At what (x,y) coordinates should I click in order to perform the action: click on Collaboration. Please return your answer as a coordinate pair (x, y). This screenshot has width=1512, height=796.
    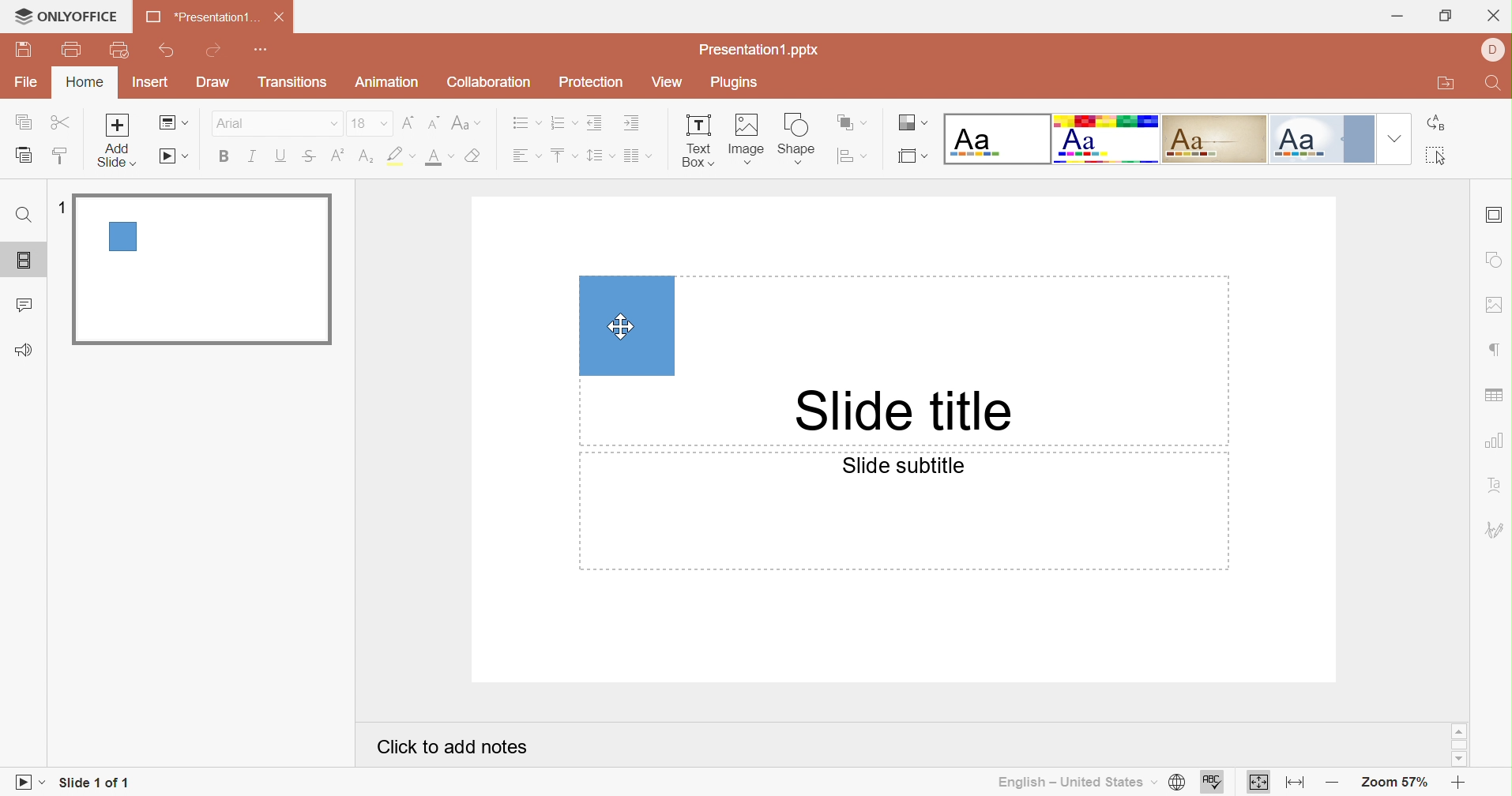
    Looking at the image, I should click on (486, 83).